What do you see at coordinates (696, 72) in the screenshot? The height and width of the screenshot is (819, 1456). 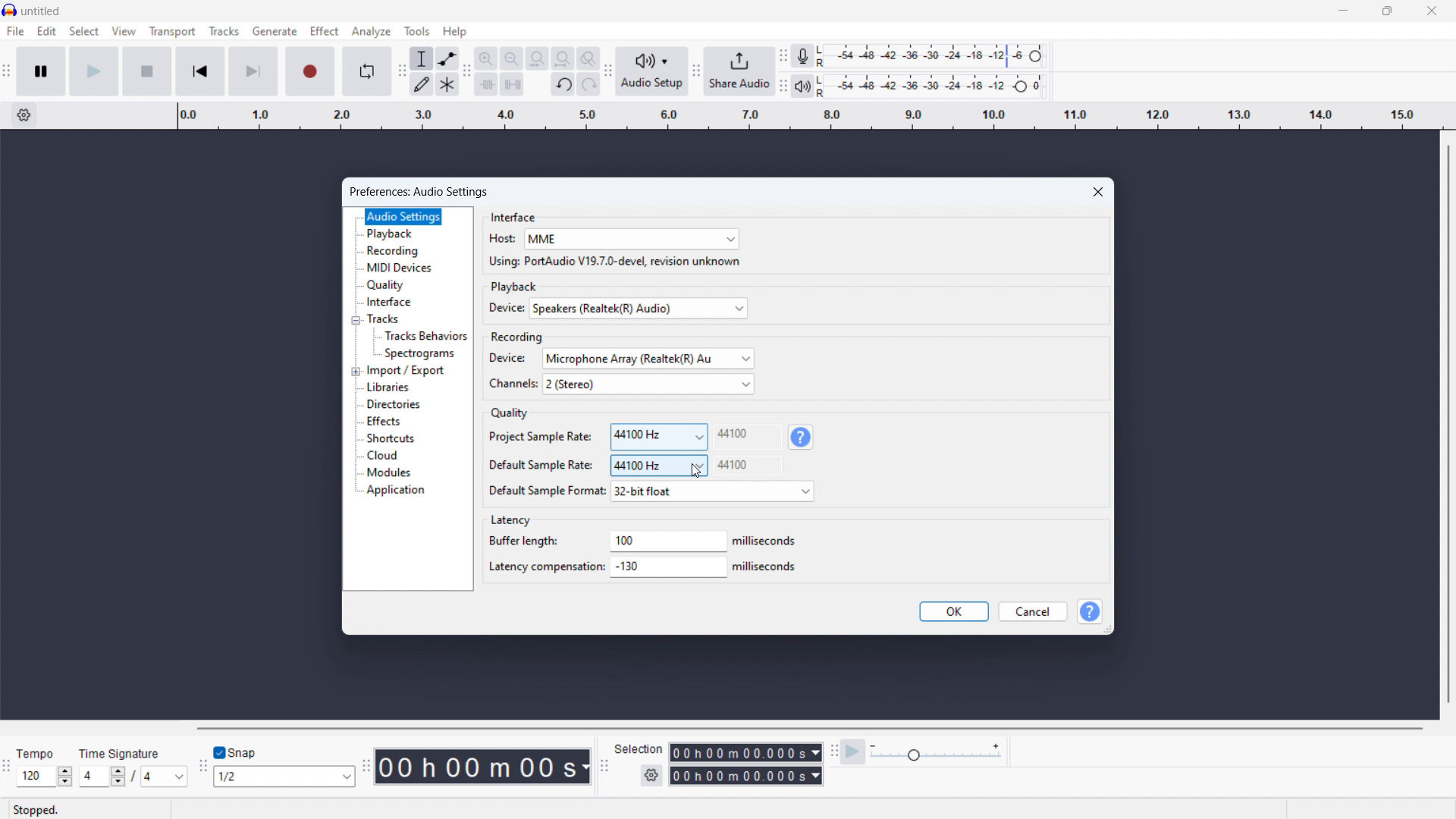 I see `share audio toolbar` at bounding box center [696, 72].